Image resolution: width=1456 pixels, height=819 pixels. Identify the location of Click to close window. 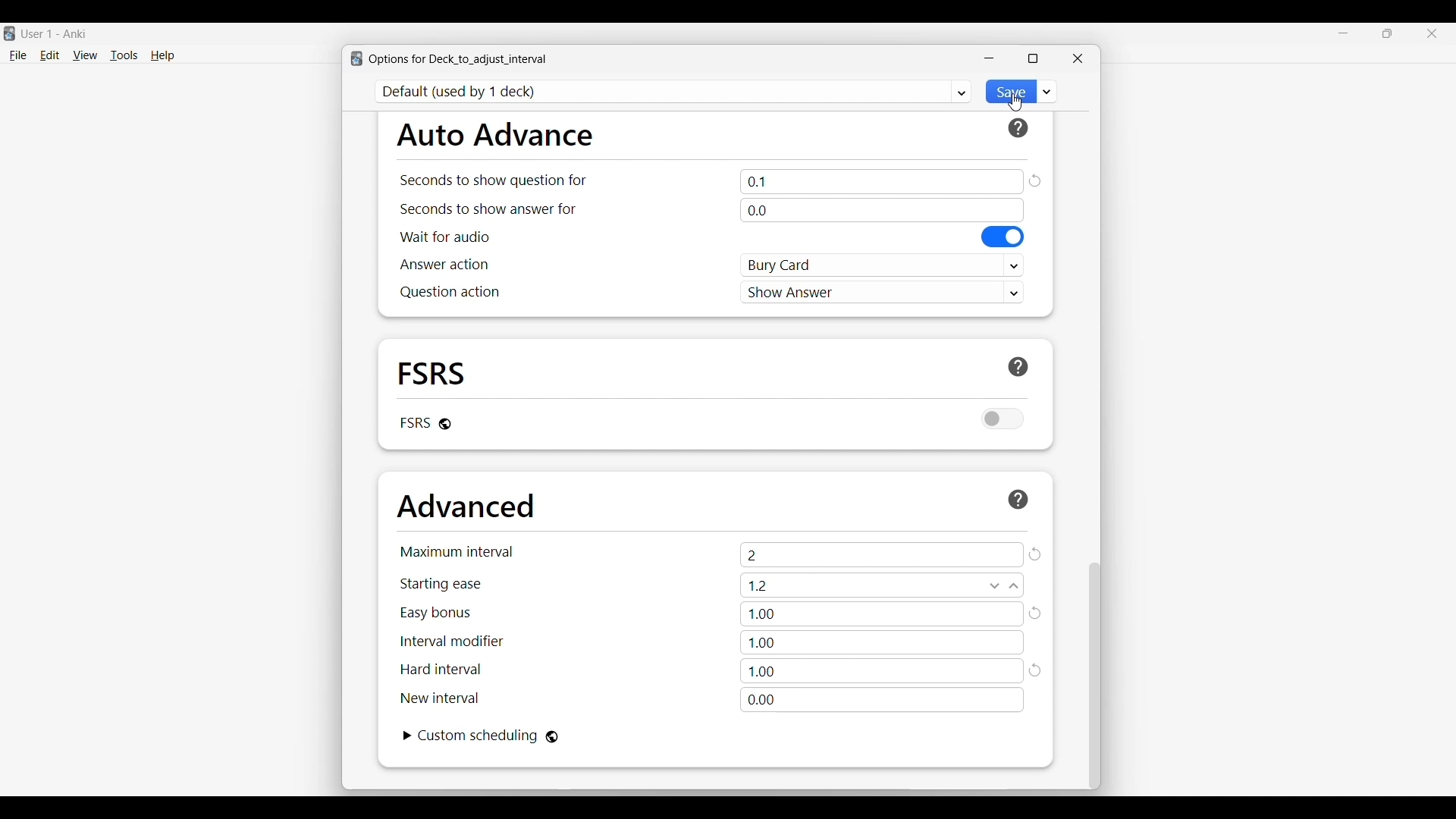
(1078, 58).